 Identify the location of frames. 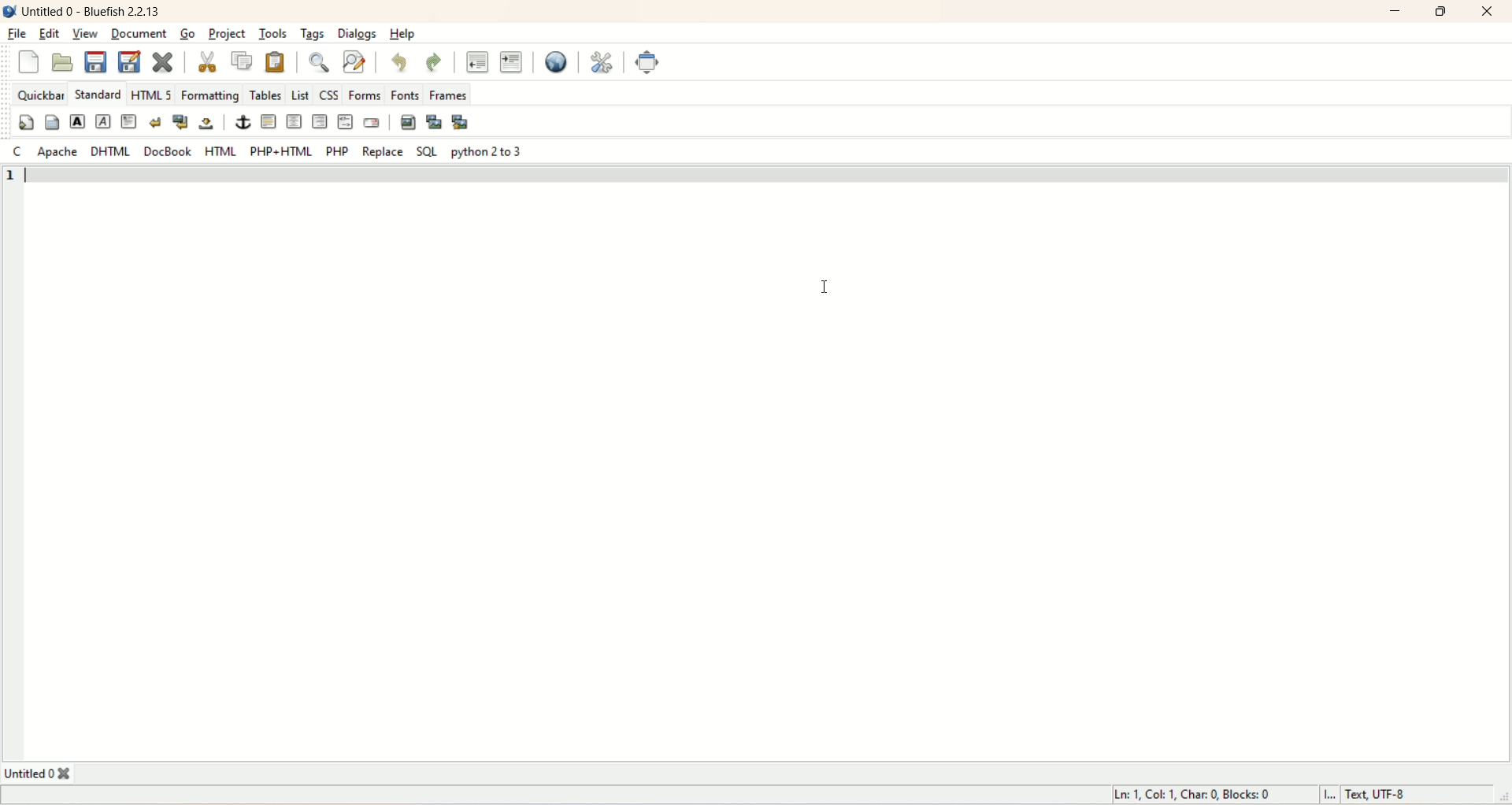
(447, 93).